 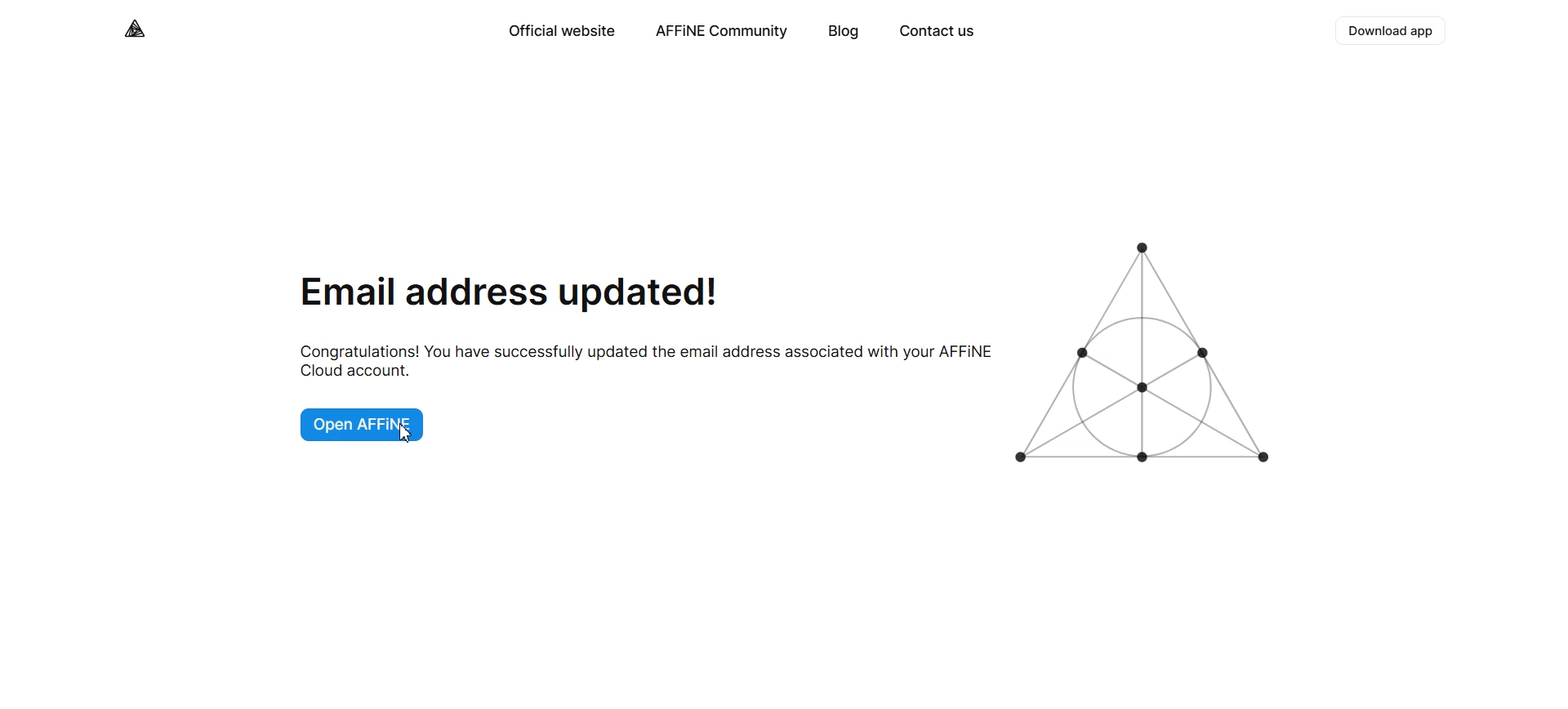 I want to click on Logo, so click(x=1148, y=354).